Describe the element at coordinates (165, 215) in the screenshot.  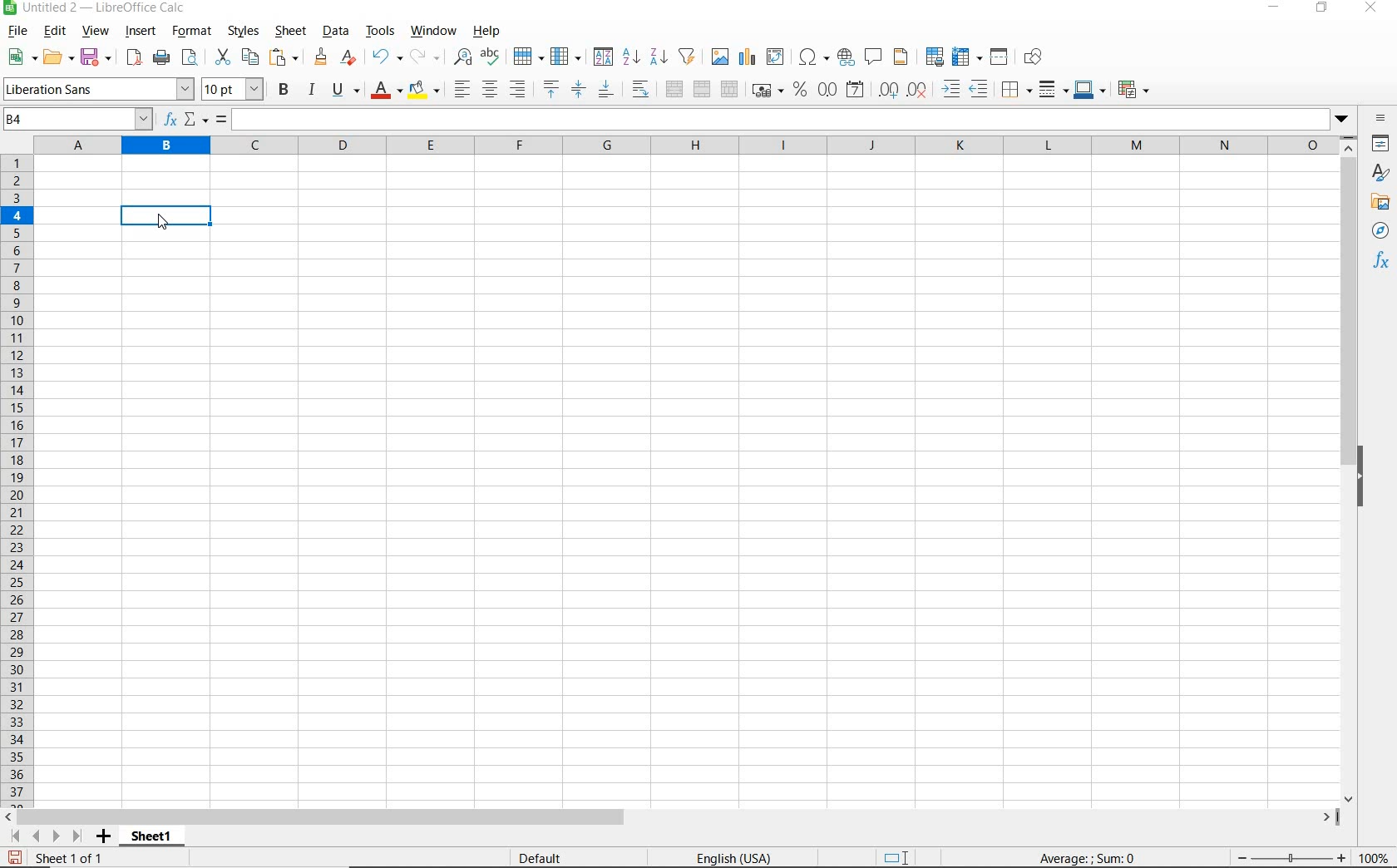
I see `selected cell` at that location.